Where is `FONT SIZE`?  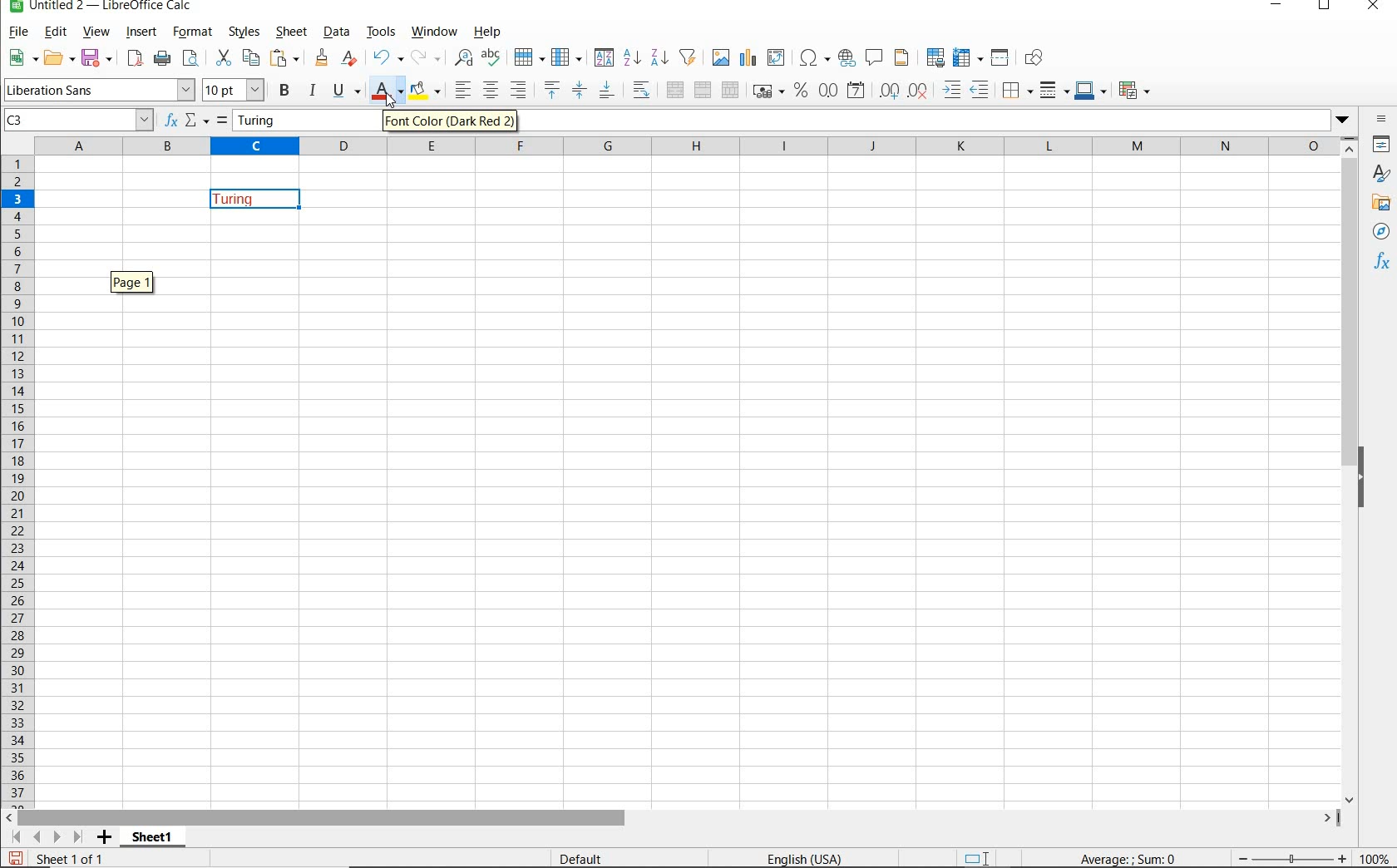 FONT SIZE is located at coordinates (234, 91).